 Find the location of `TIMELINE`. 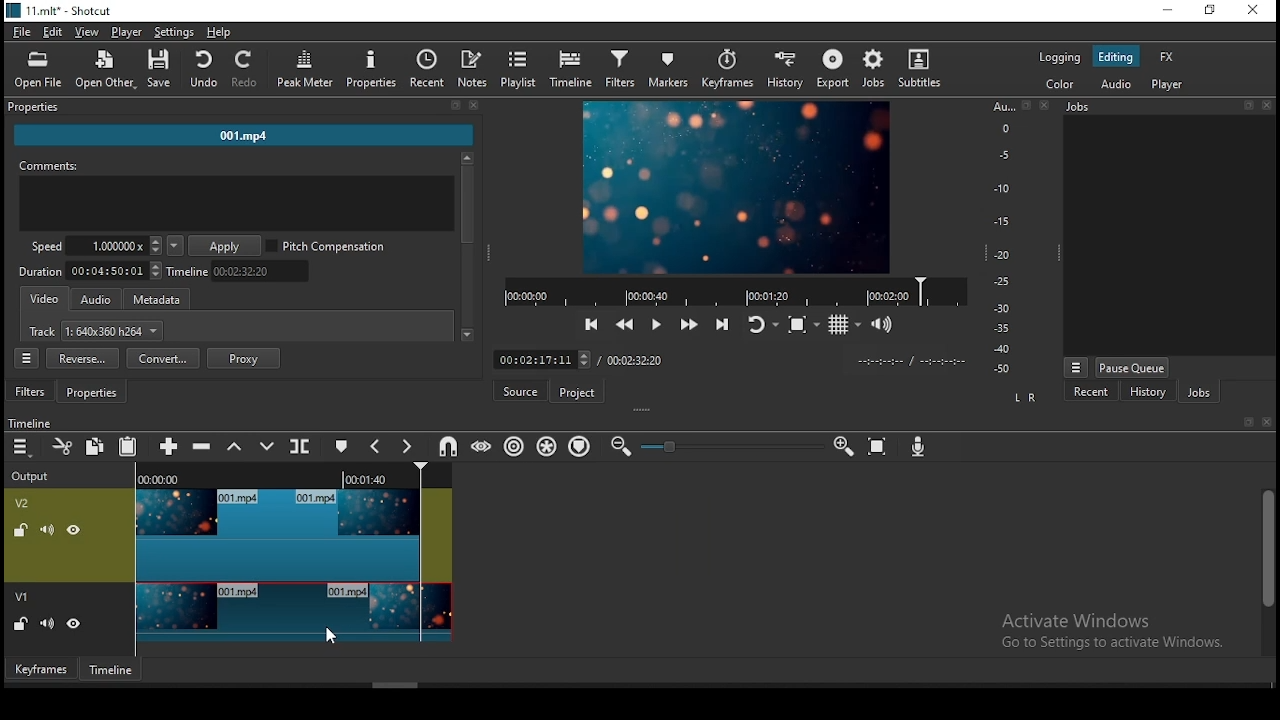

TIMELINE is located at coordinates (438, 475).